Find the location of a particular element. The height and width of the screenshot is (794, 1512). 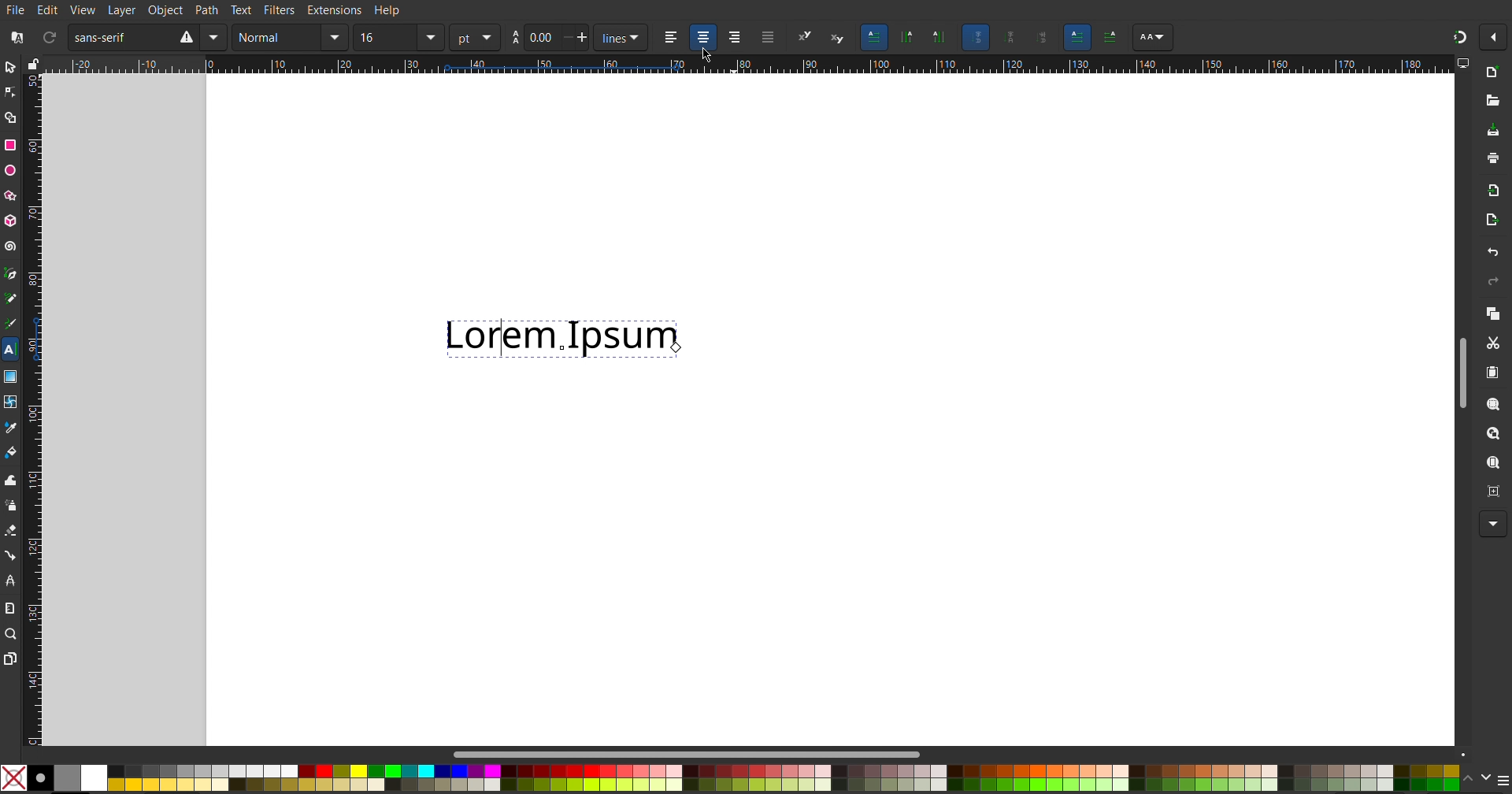

Edit is located at coordinates (46, 9).